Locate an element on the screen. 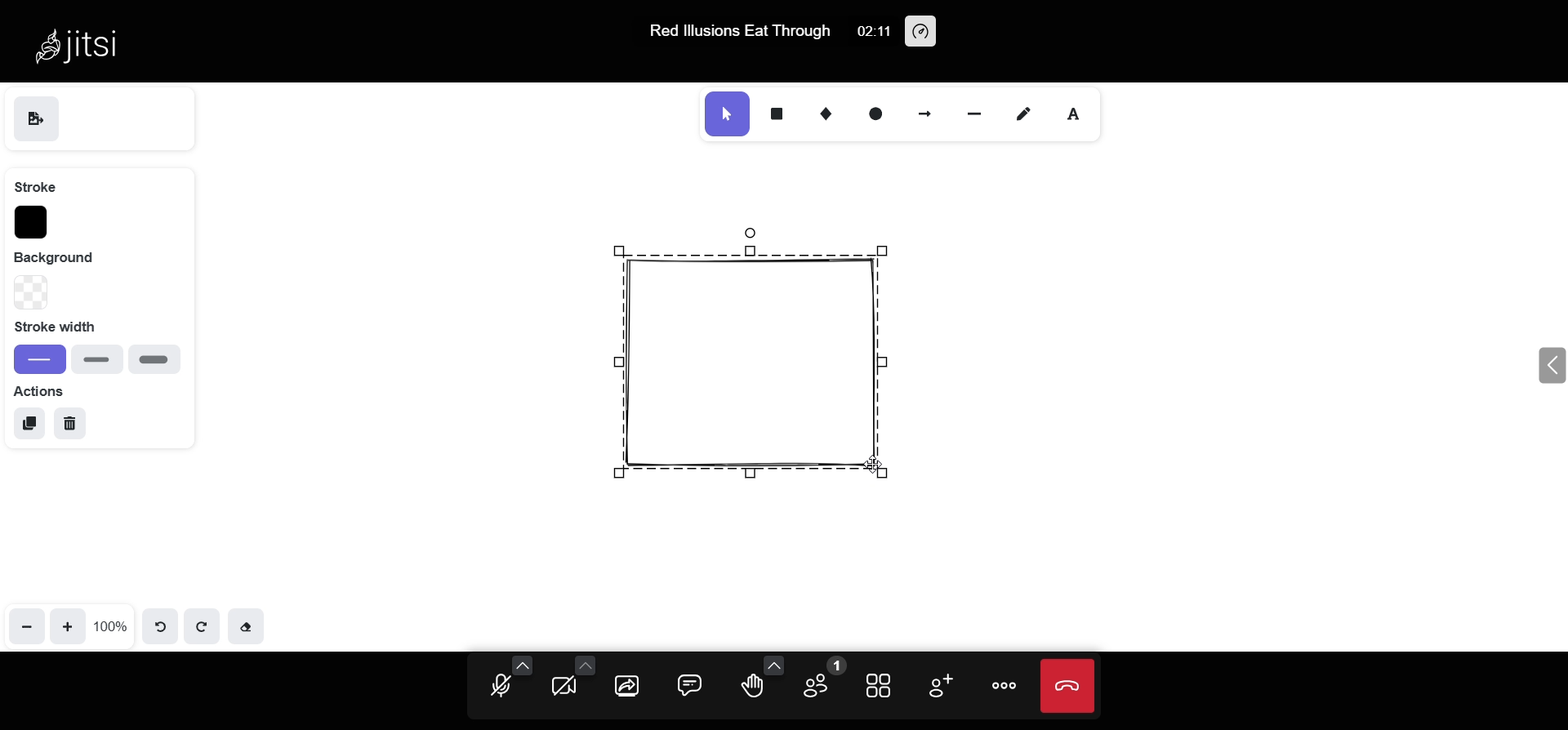 This screenshot has width=1568, height=730. select is located at coordinates (722, 112).